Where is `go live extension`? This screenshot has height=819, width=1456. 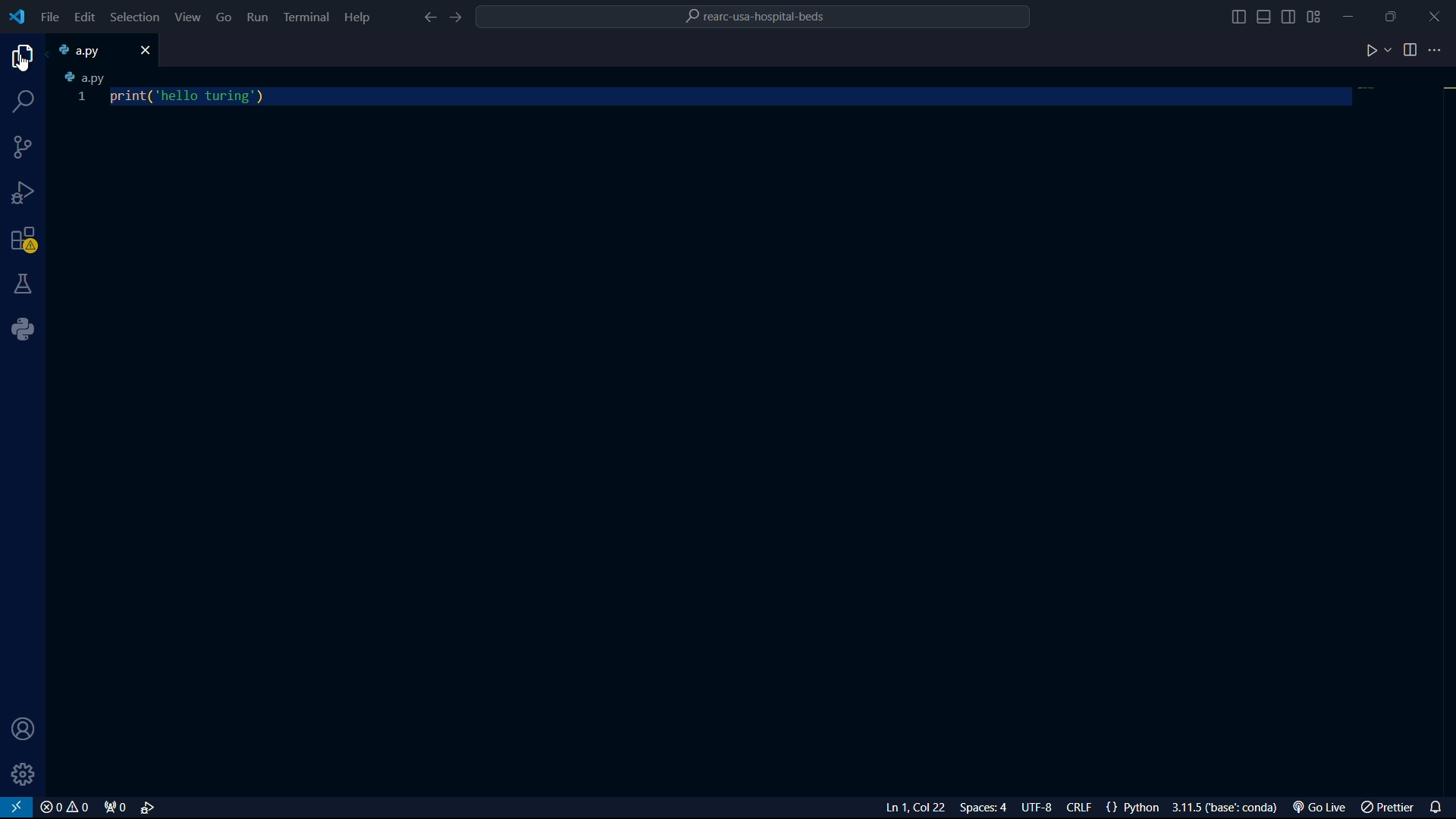 go live extension is located at coordinates (1317, 808).